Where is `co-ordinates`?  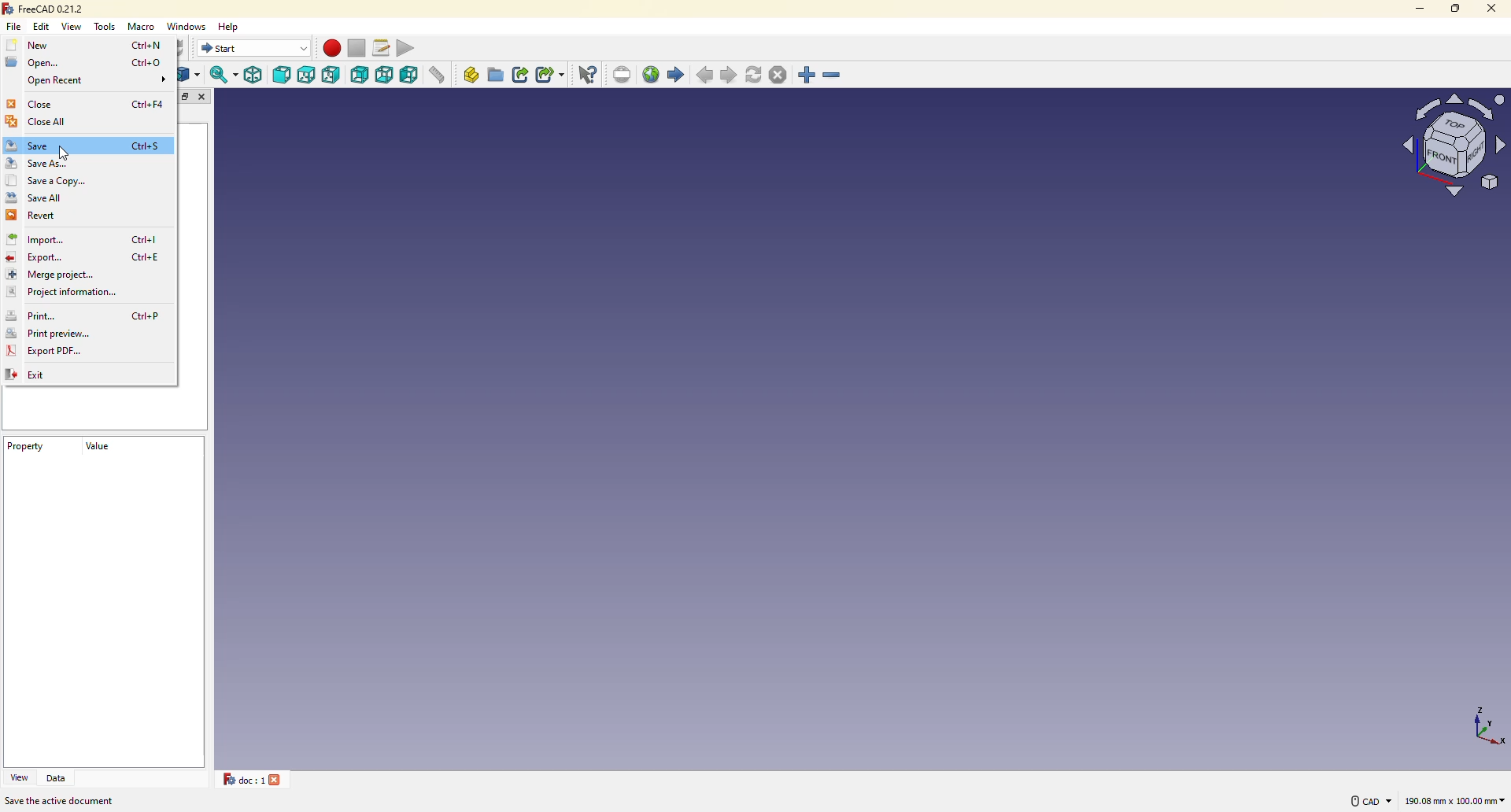 co-ordinates is located at coordinates (1476, 725).